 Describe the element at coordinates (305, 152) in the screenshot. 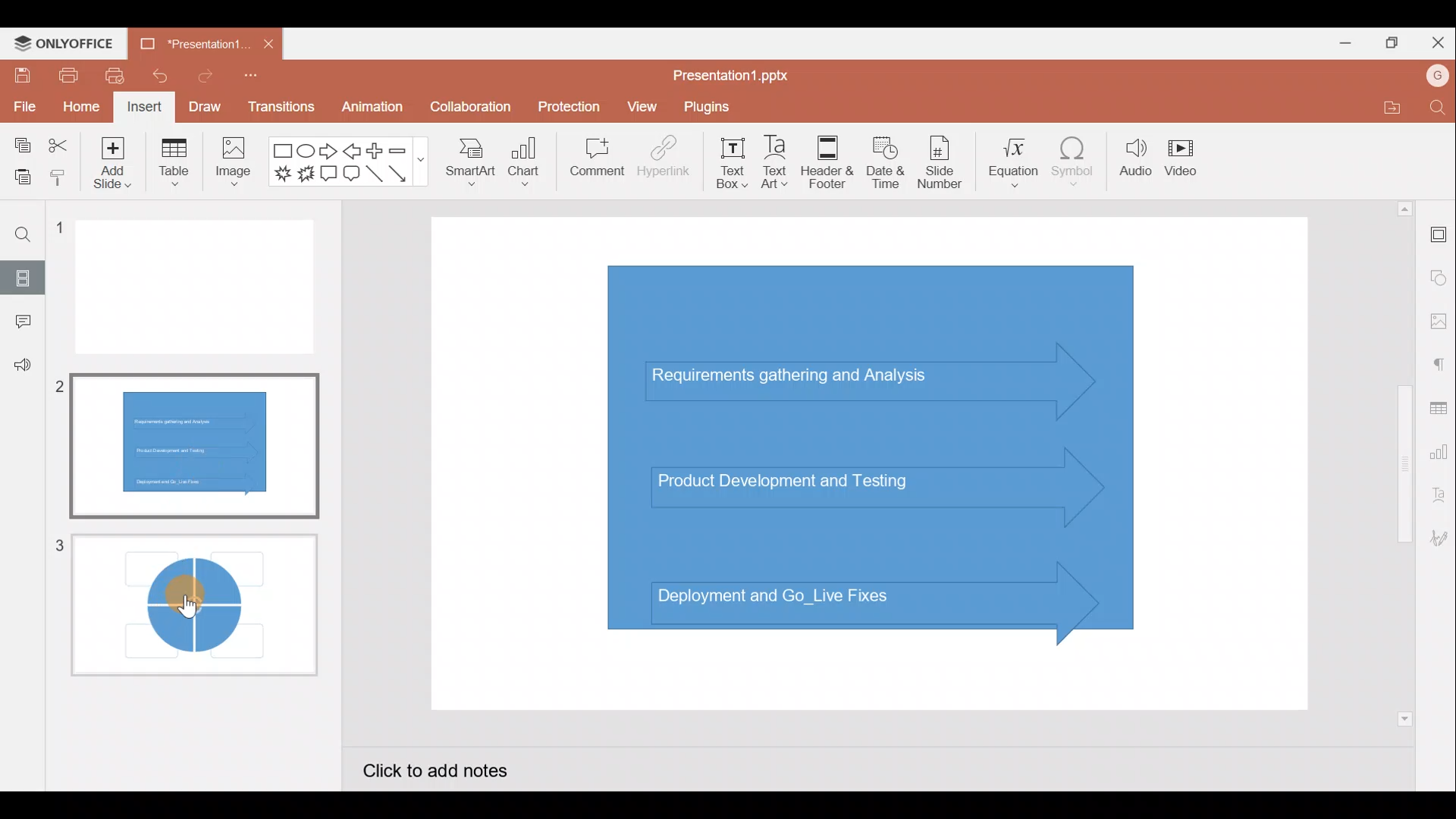

I see `Ellipse` at that location.